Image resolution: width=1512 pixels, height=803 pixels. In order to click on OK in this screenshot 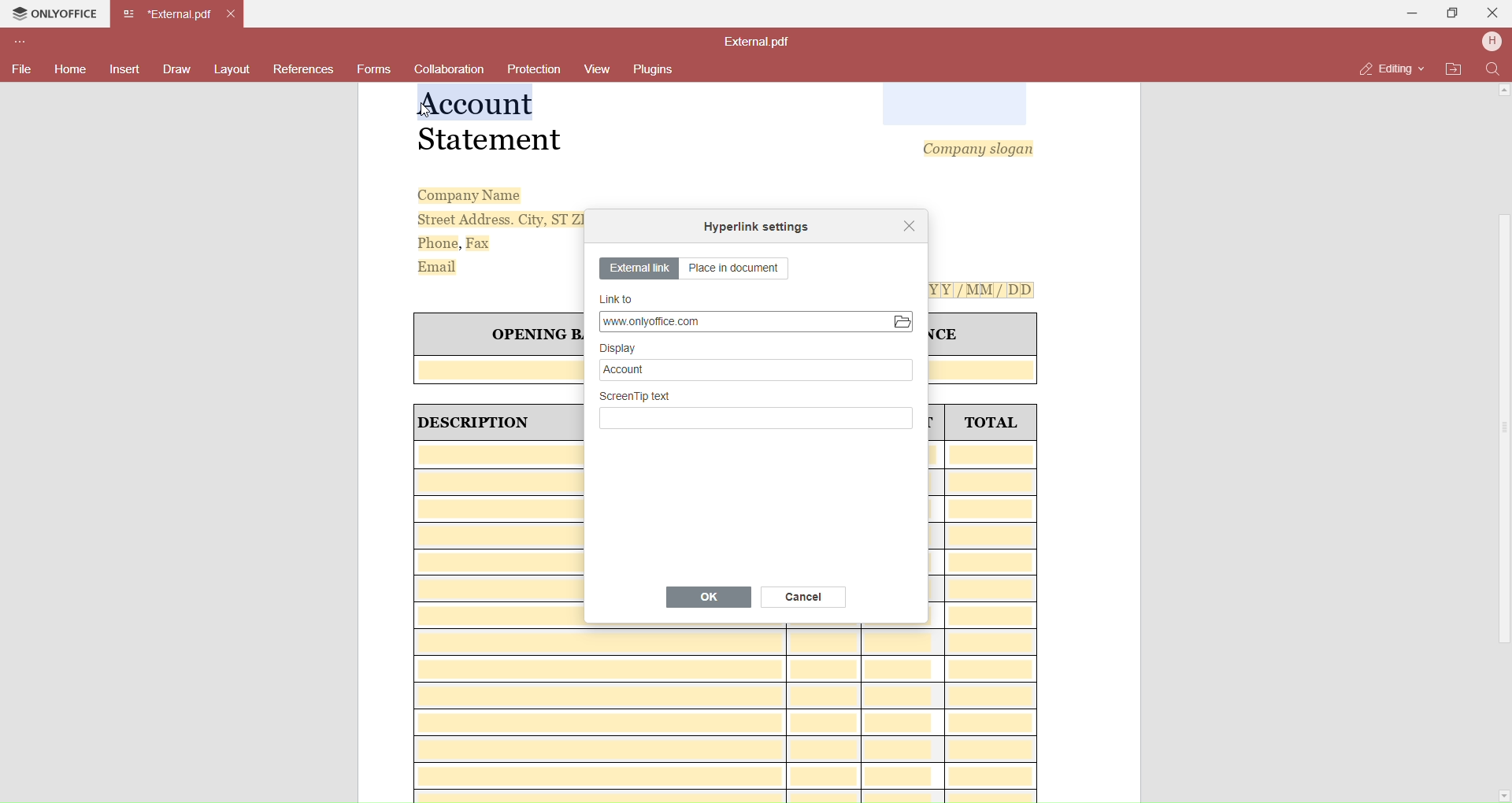, I will do `click(707, 596)`.